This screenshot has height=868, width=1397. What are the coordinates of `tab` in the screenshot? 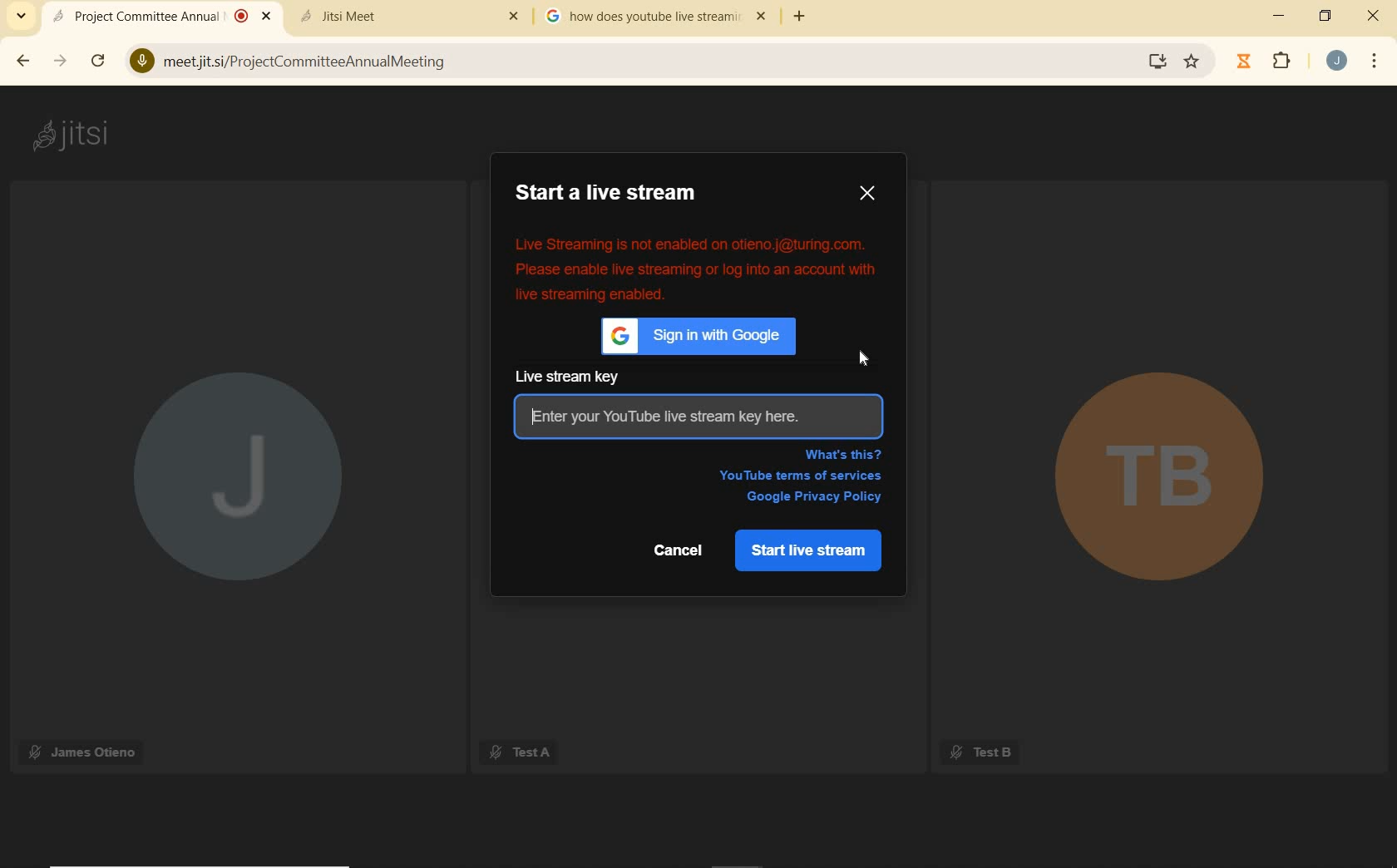 It's located at (388, 16).